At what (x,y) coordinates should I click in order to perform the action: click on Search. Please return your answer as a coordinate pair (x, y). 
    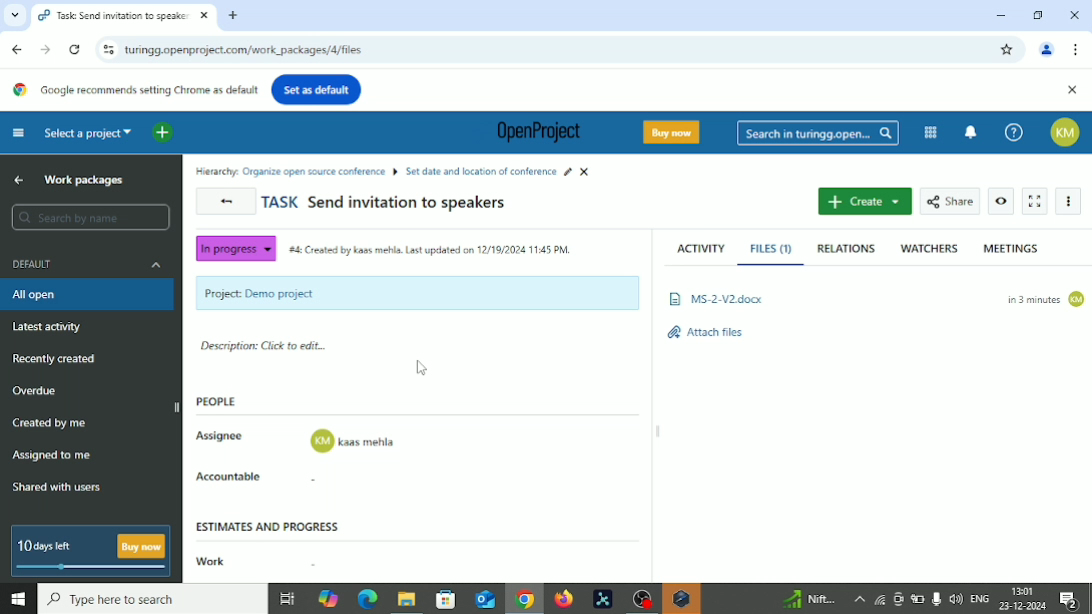
    Looking at the image, I should click on (152, 599).